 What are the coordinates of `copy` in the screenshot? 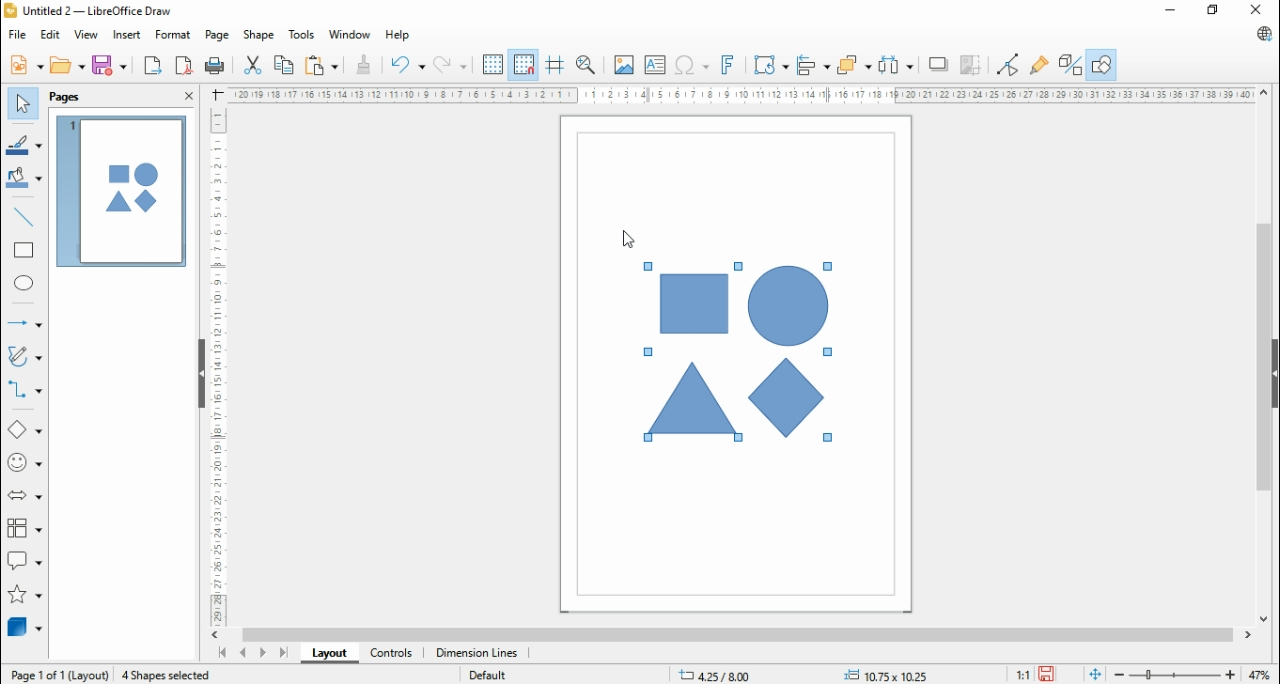 It's located at (285, 63).